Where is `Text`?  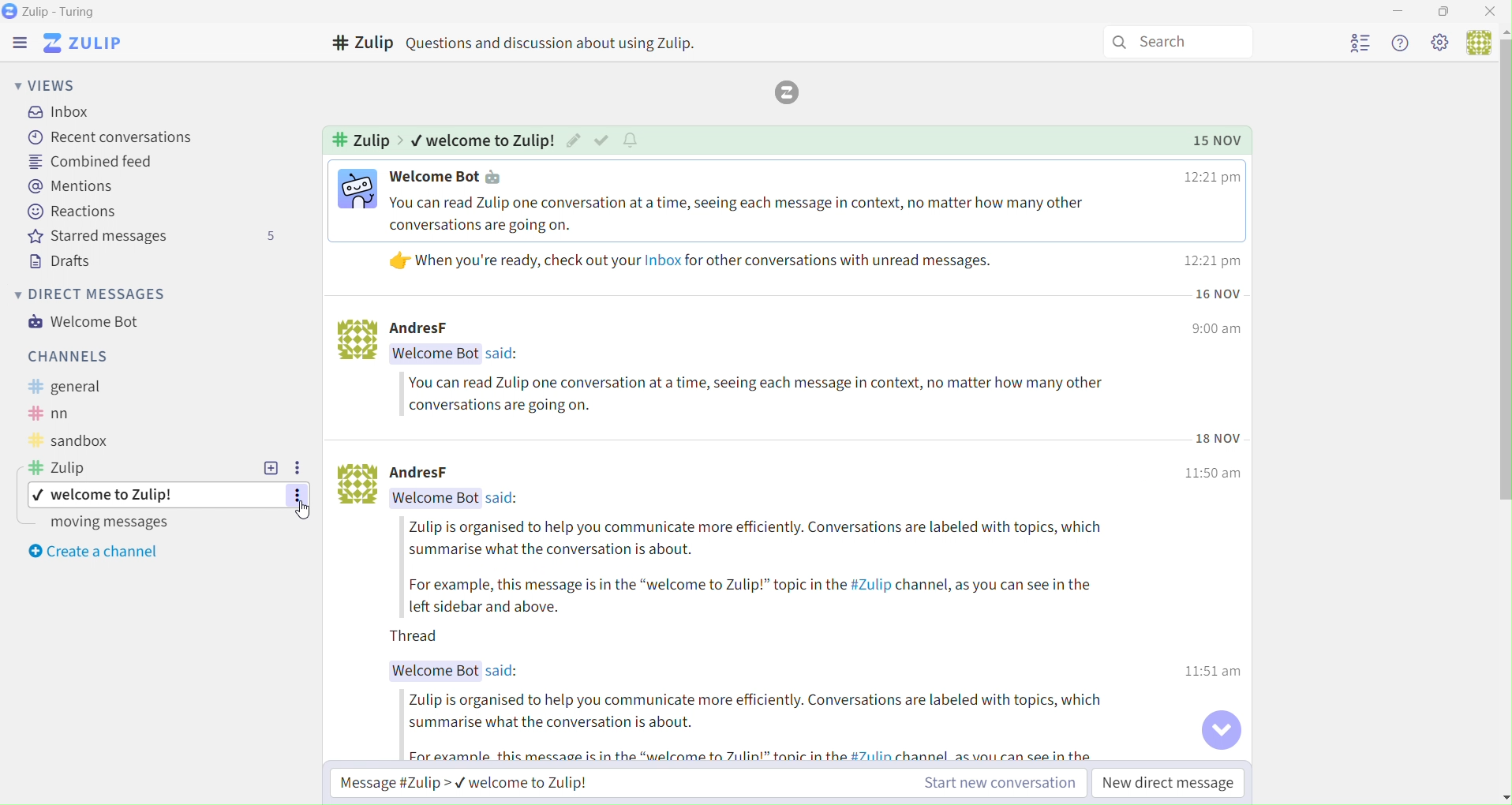 Text is located at coordinates (436, 473).